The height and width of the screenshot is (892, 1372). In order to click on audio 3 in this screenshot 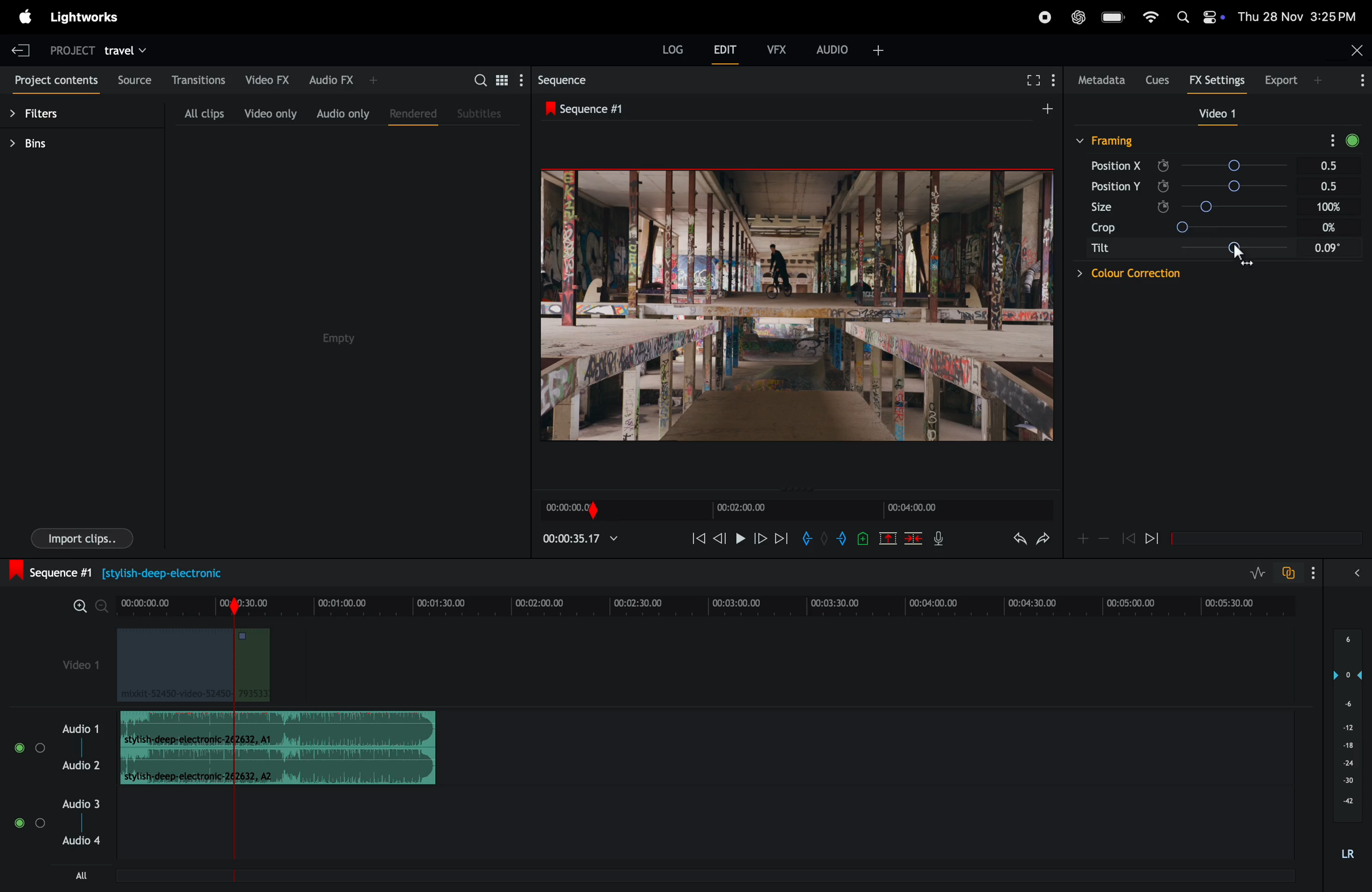, I will do `click(57, 806)`.